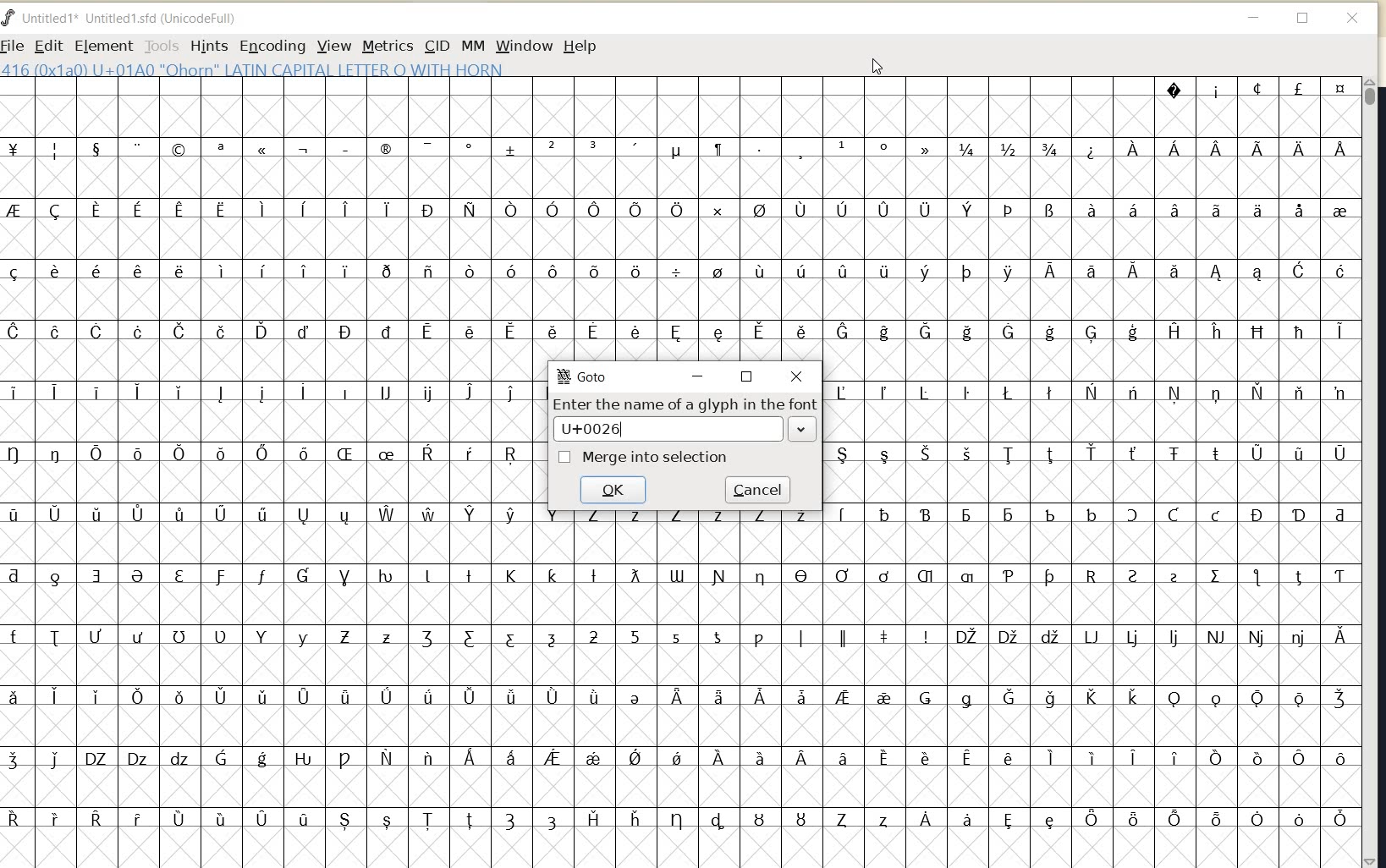 The height and width of the screenshot is (868, 1386). I want to click on glyph characters & numbers, so click(682, 688).